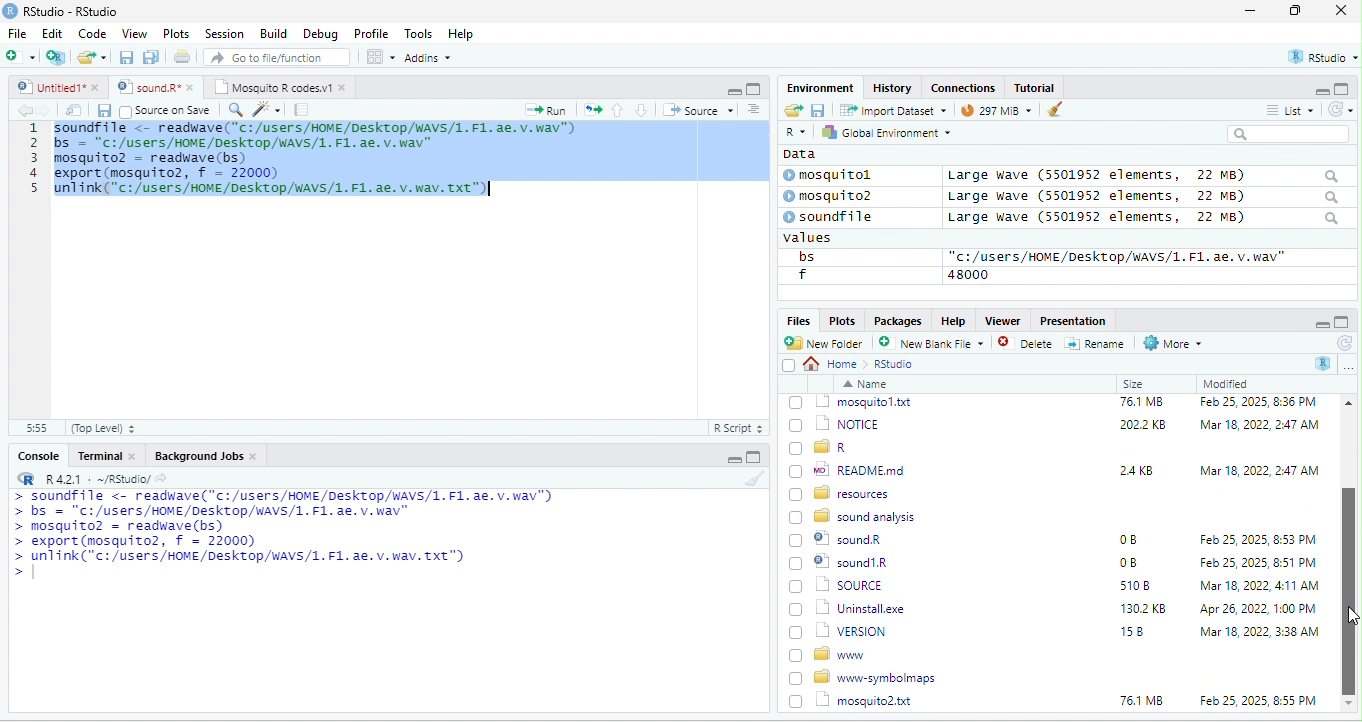  I want to click on ” Go to file/function, so click(278, 59).